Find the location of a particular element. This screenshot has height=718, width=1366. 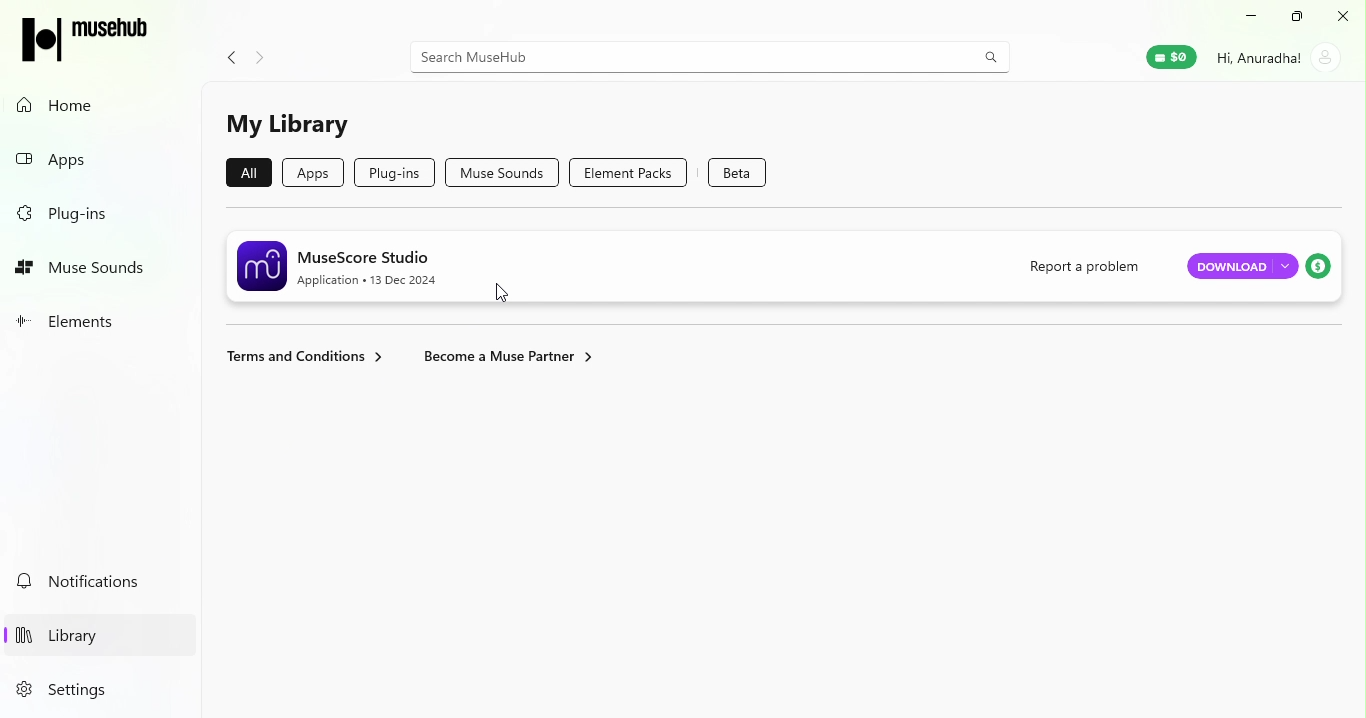

Library is located at coordinates (90, 631).